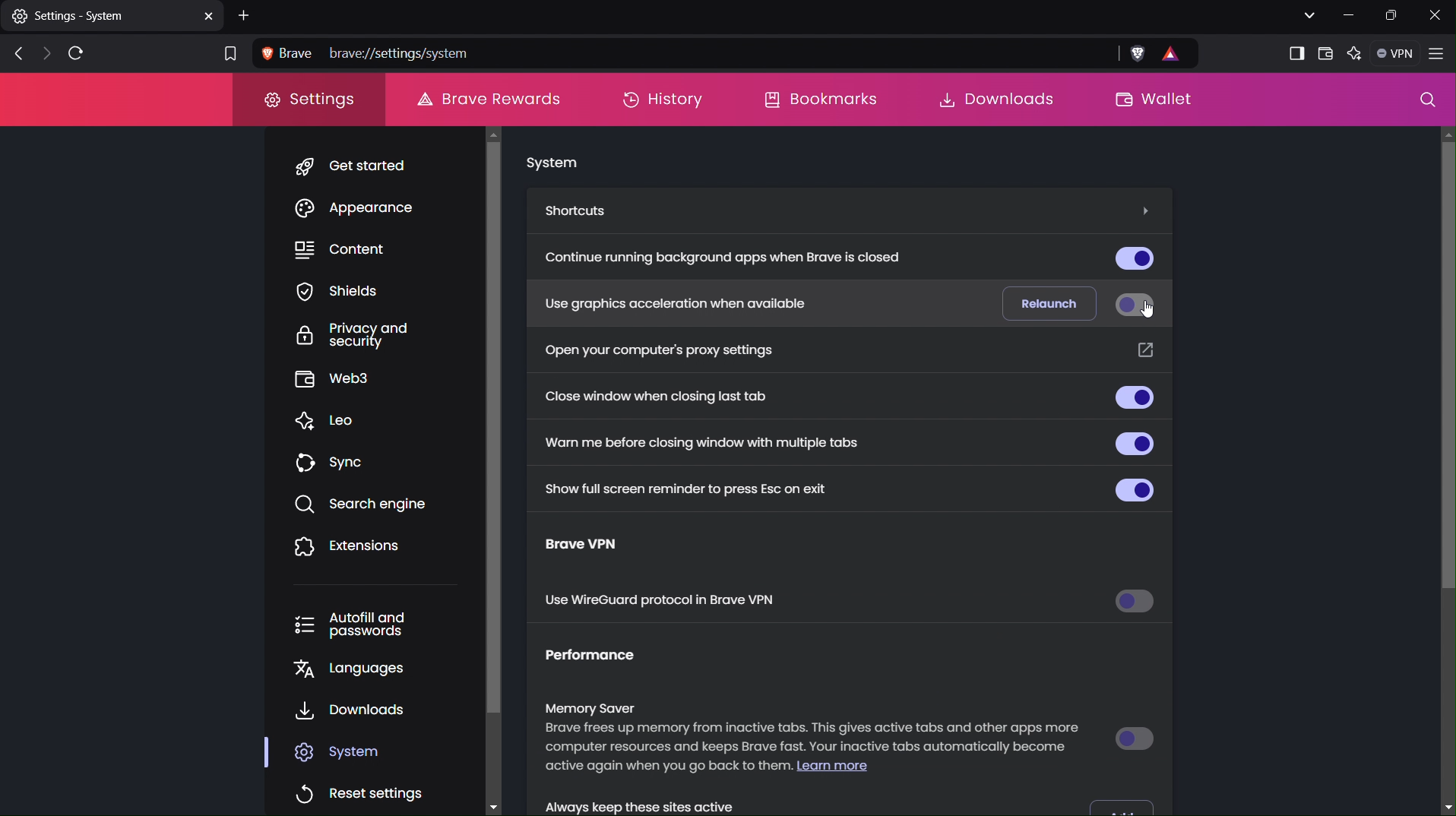  Describe the element at coordinates (1324, 52) in the screenshot. I see `Wallet` at that location.